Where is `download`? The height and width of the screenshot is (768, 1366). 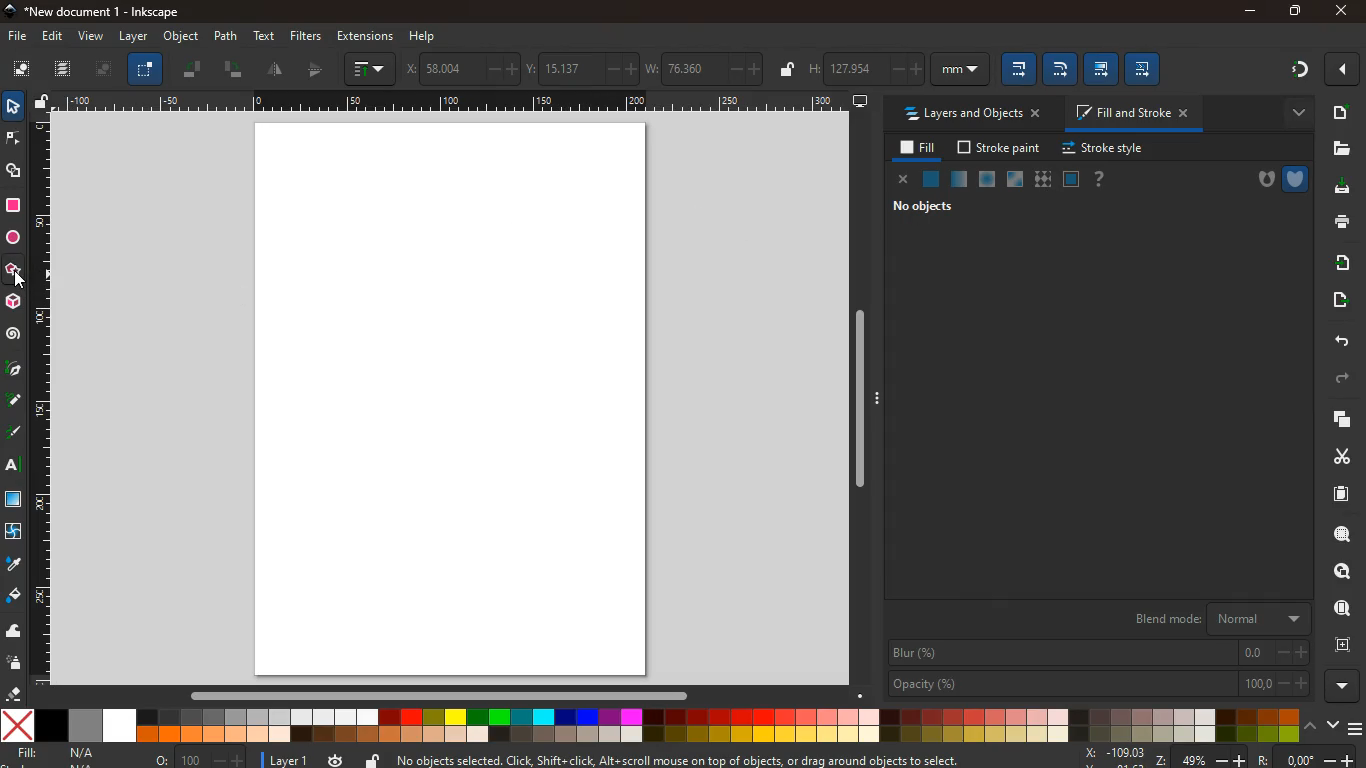 download is located at coordinates (1342, 188).